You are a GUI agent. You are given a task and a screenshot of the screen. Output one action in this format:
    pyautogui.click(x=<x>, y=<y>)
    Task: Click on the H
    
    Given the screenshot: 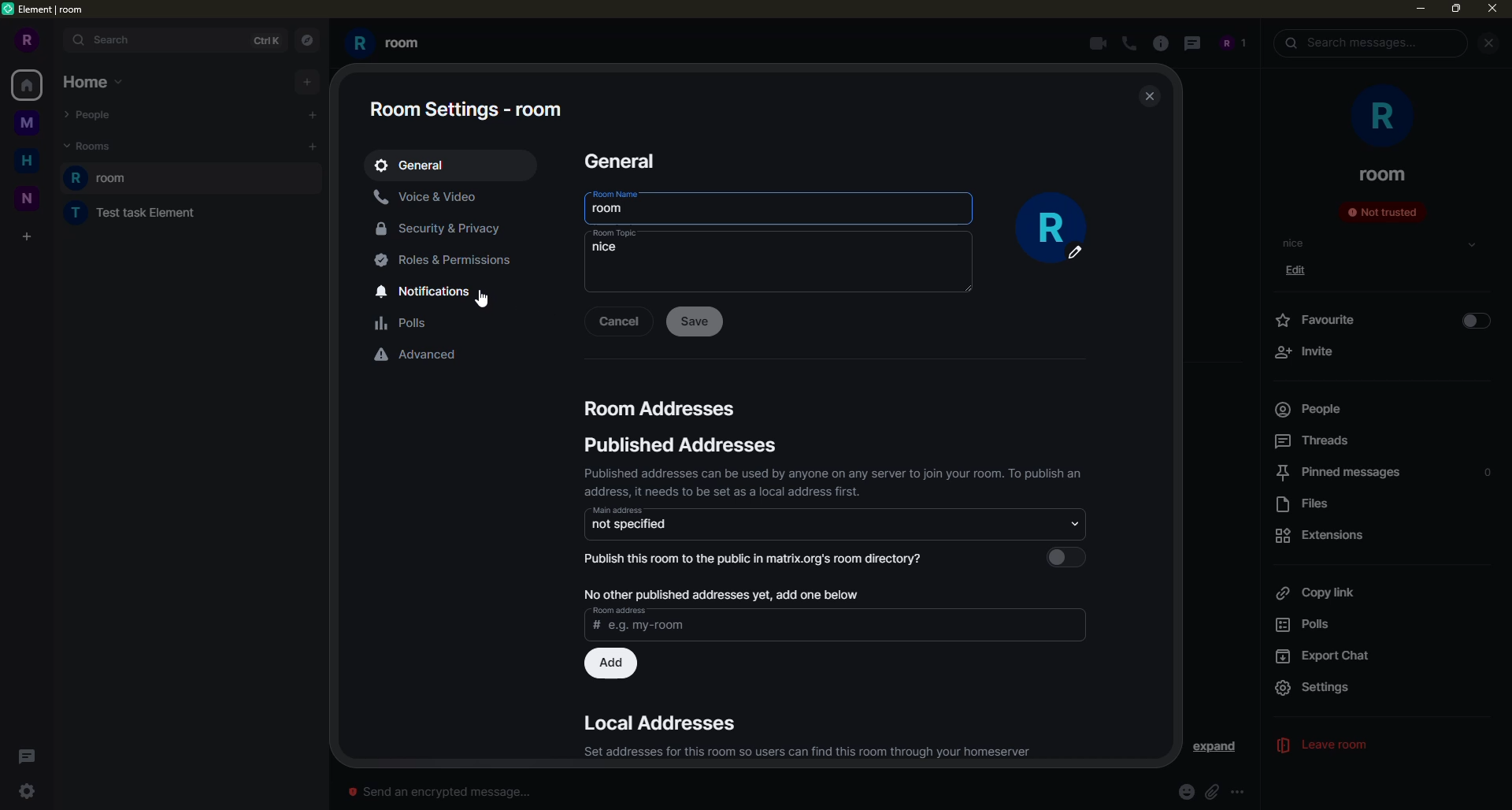 What is the action you would take?
    pyautogui.click(x=26, y=161)
    